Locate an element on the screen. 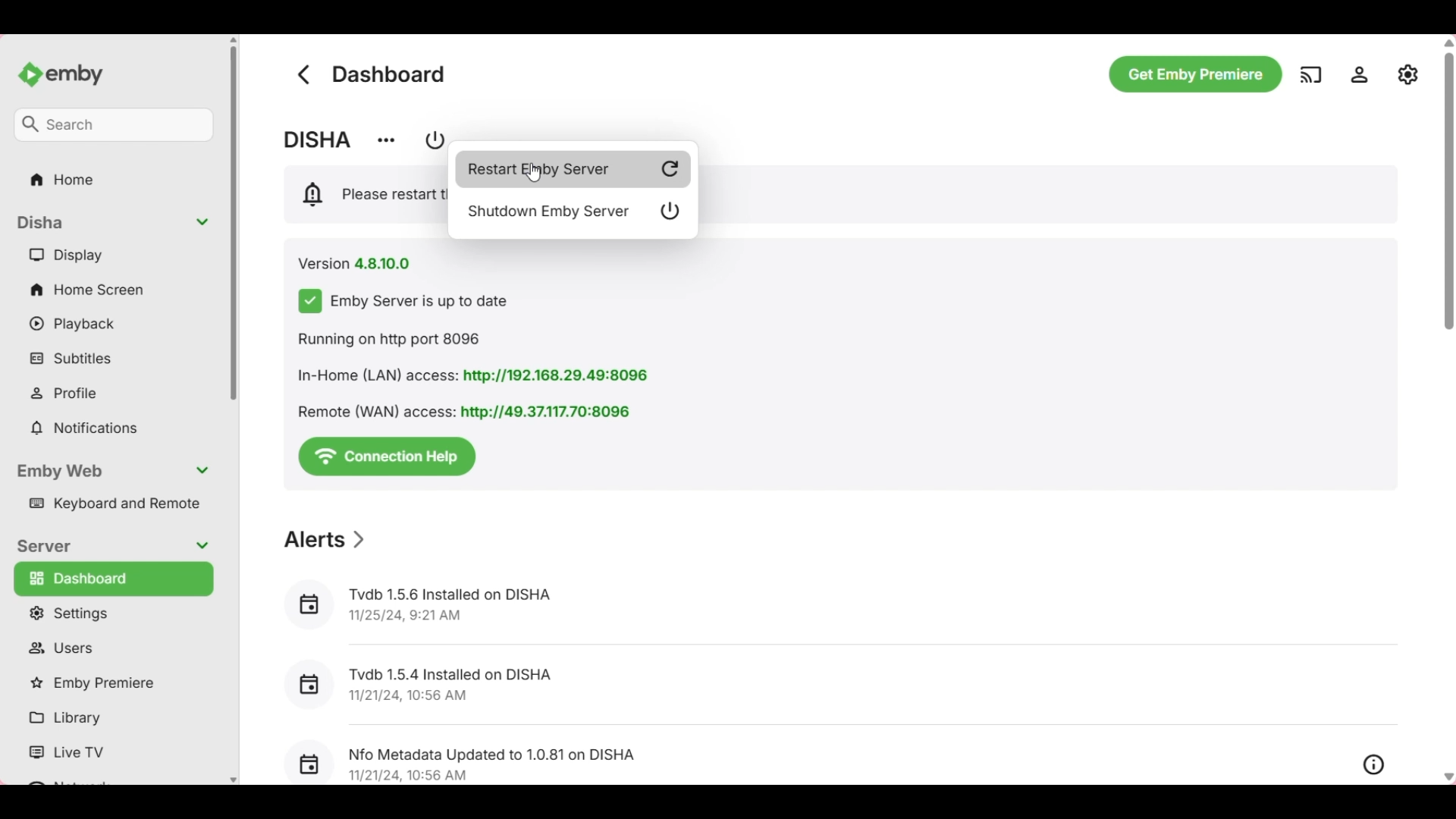 This screenshot has width=1456, height=819. Play on another device is located at coordinates (1310, 74).